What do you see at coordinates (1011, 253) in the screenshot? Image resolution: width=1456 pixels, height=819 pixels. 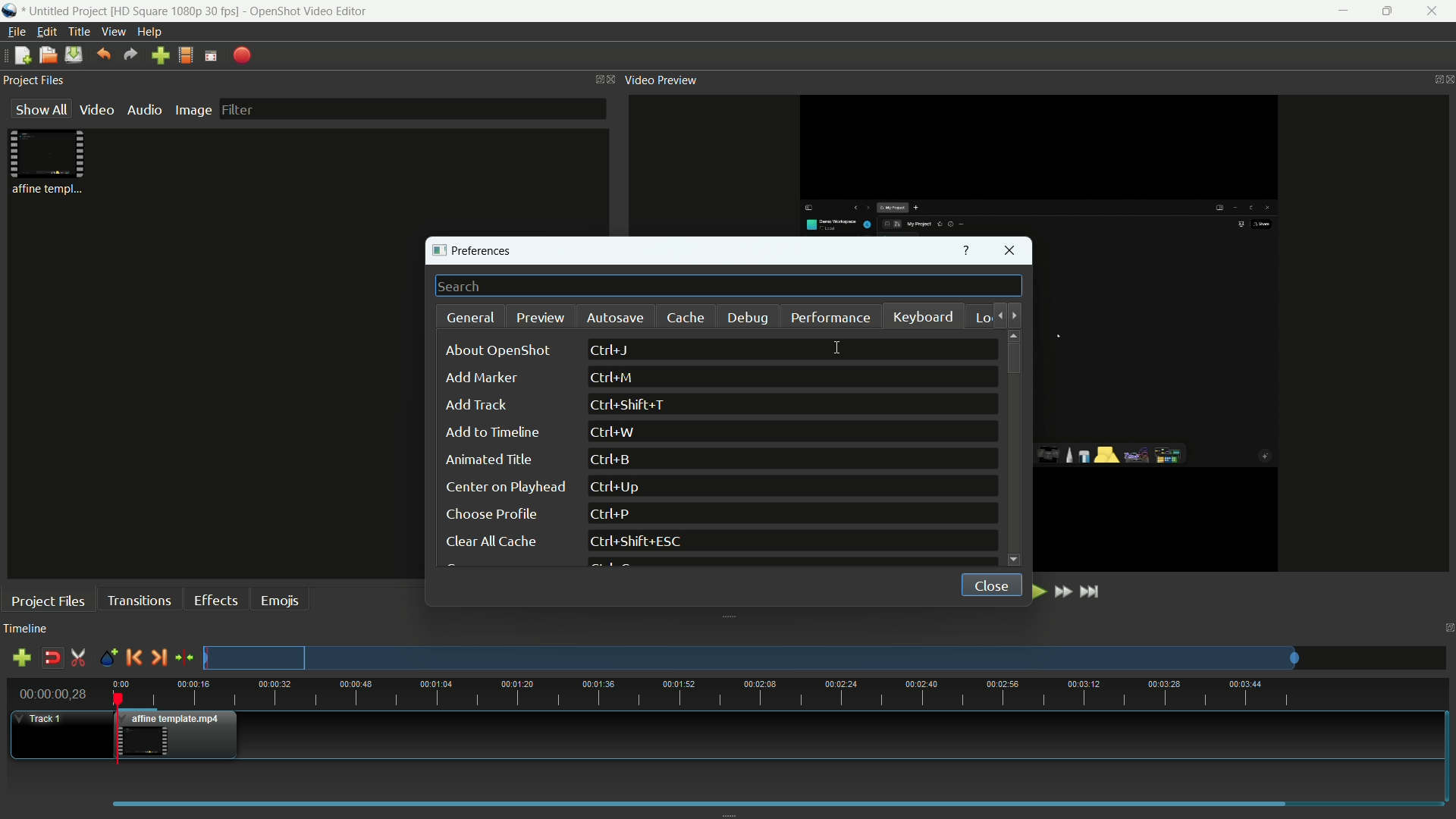 I see `close window` at bounding box center [1011, 253].